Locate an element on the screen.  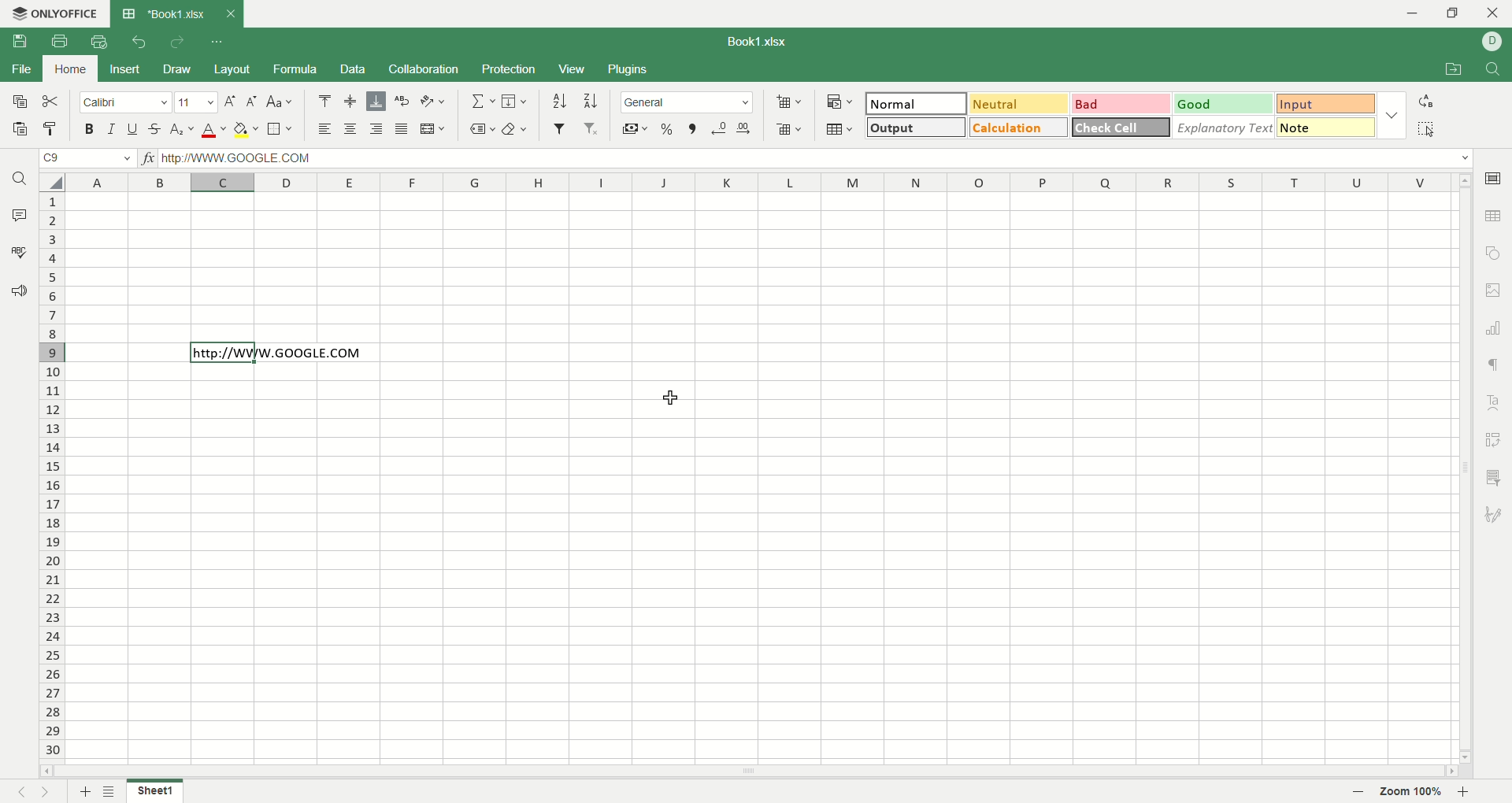
new sheet is located at coordinates (86, 790).